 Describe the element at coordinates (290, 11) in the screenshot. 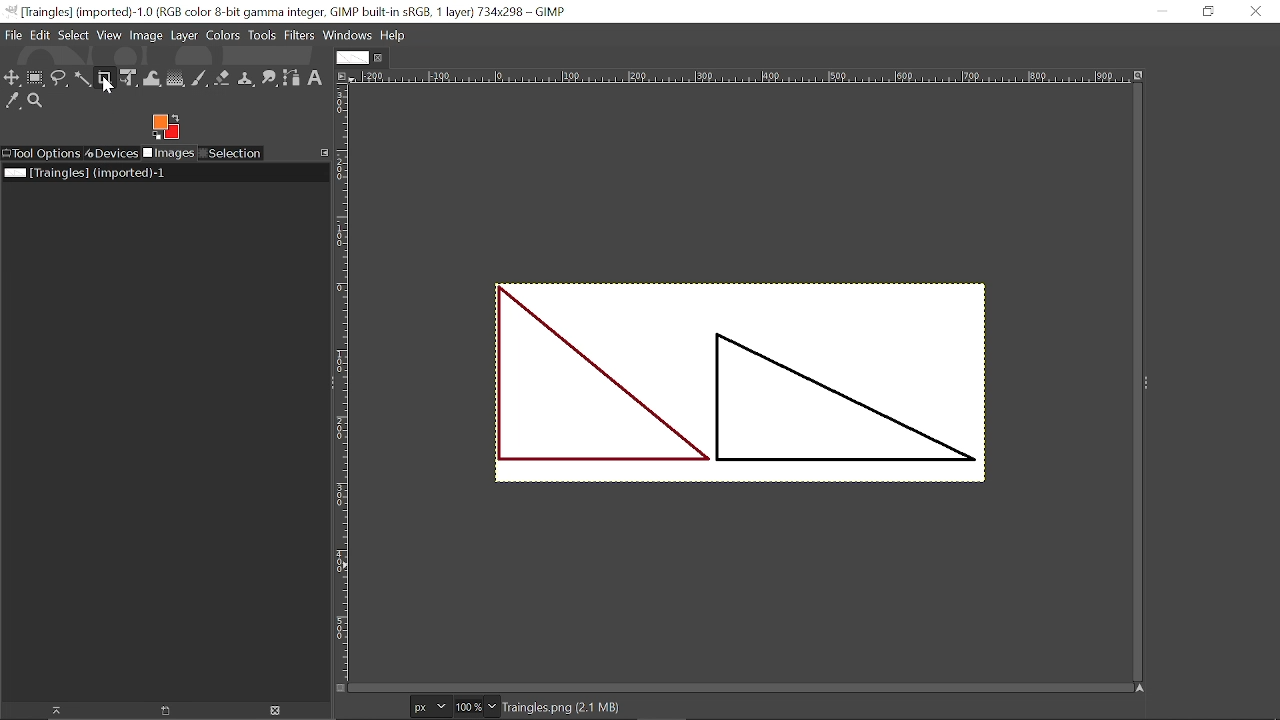

I see `Current window` at that location.